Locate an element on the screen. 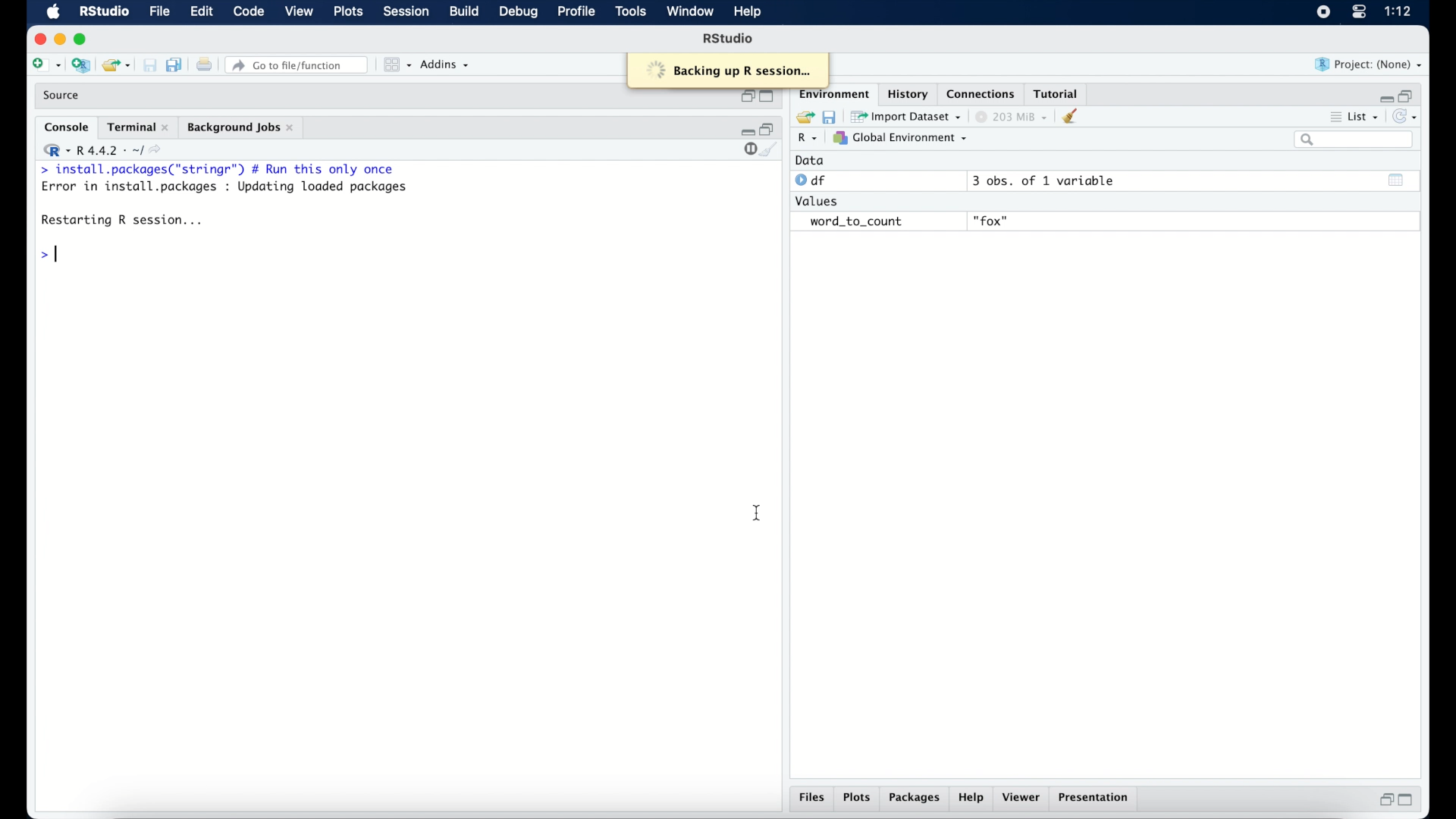 This screenshot has width=1456, height=819. df is located at coordinates (813, 180).